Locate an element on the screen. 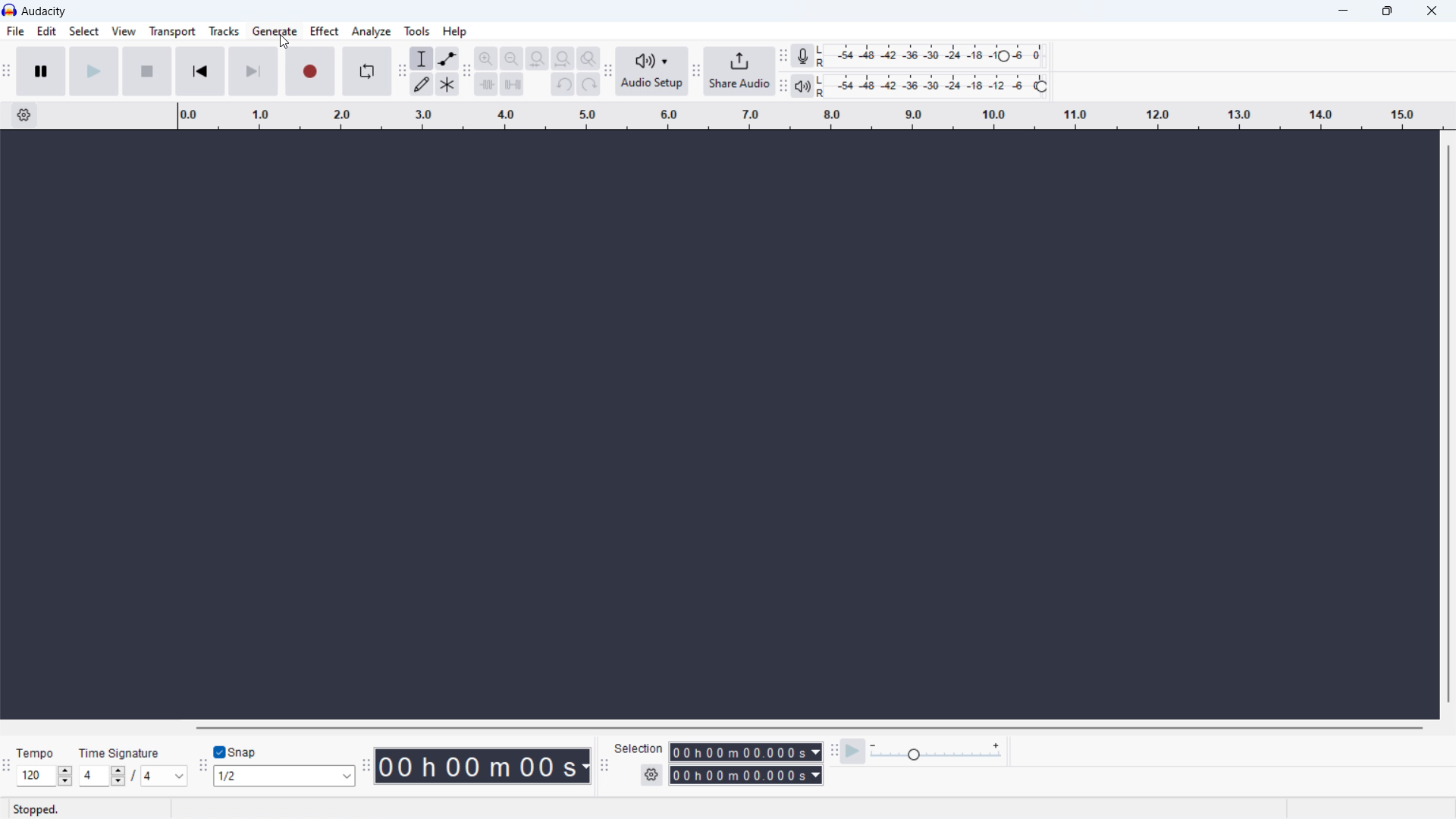 The height and width of the screenshot is (819, 1456). playback meter is located at coordinates (937, 751).